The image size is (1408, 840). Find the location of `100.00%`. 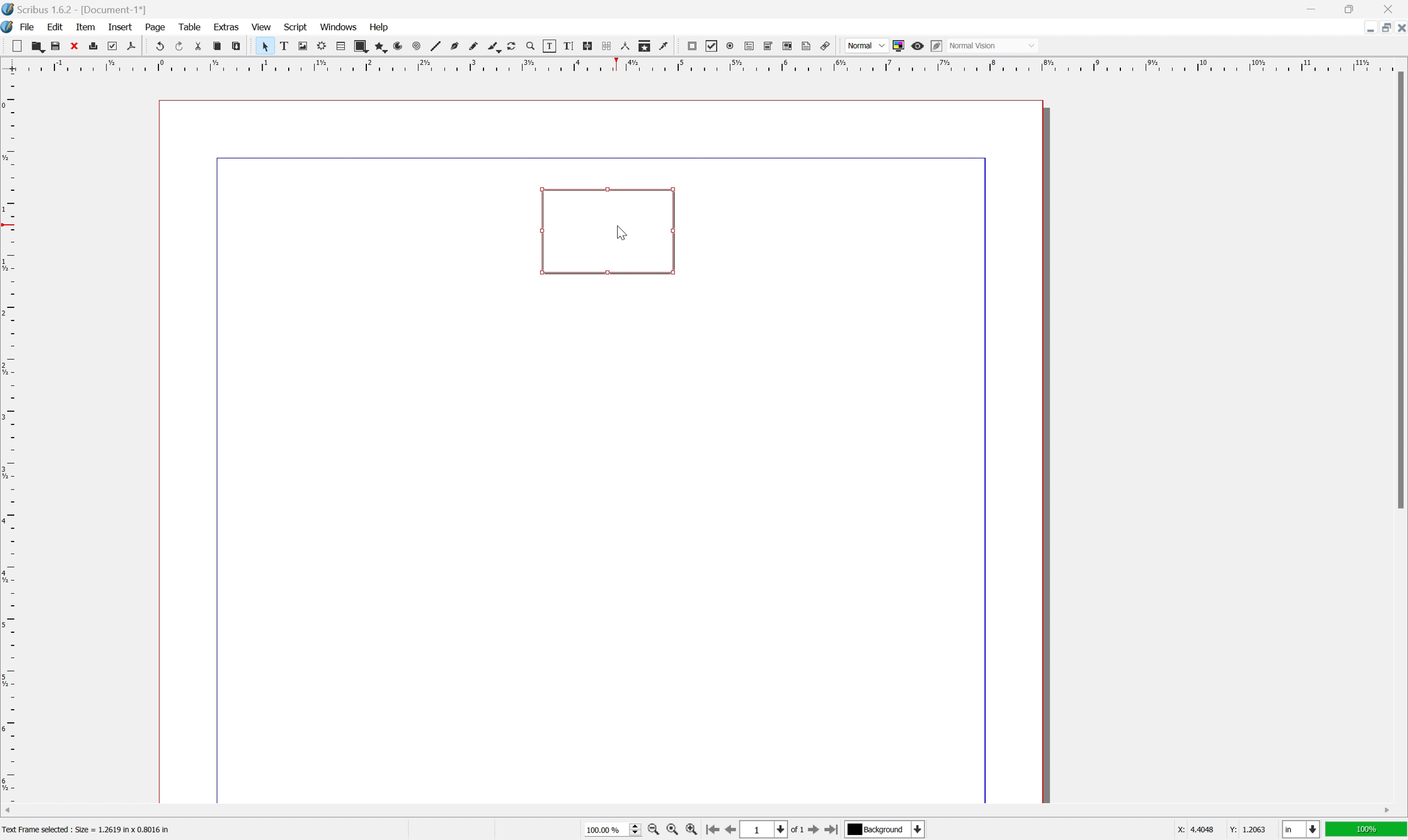

100.00% is located at coordinates (613, 831).